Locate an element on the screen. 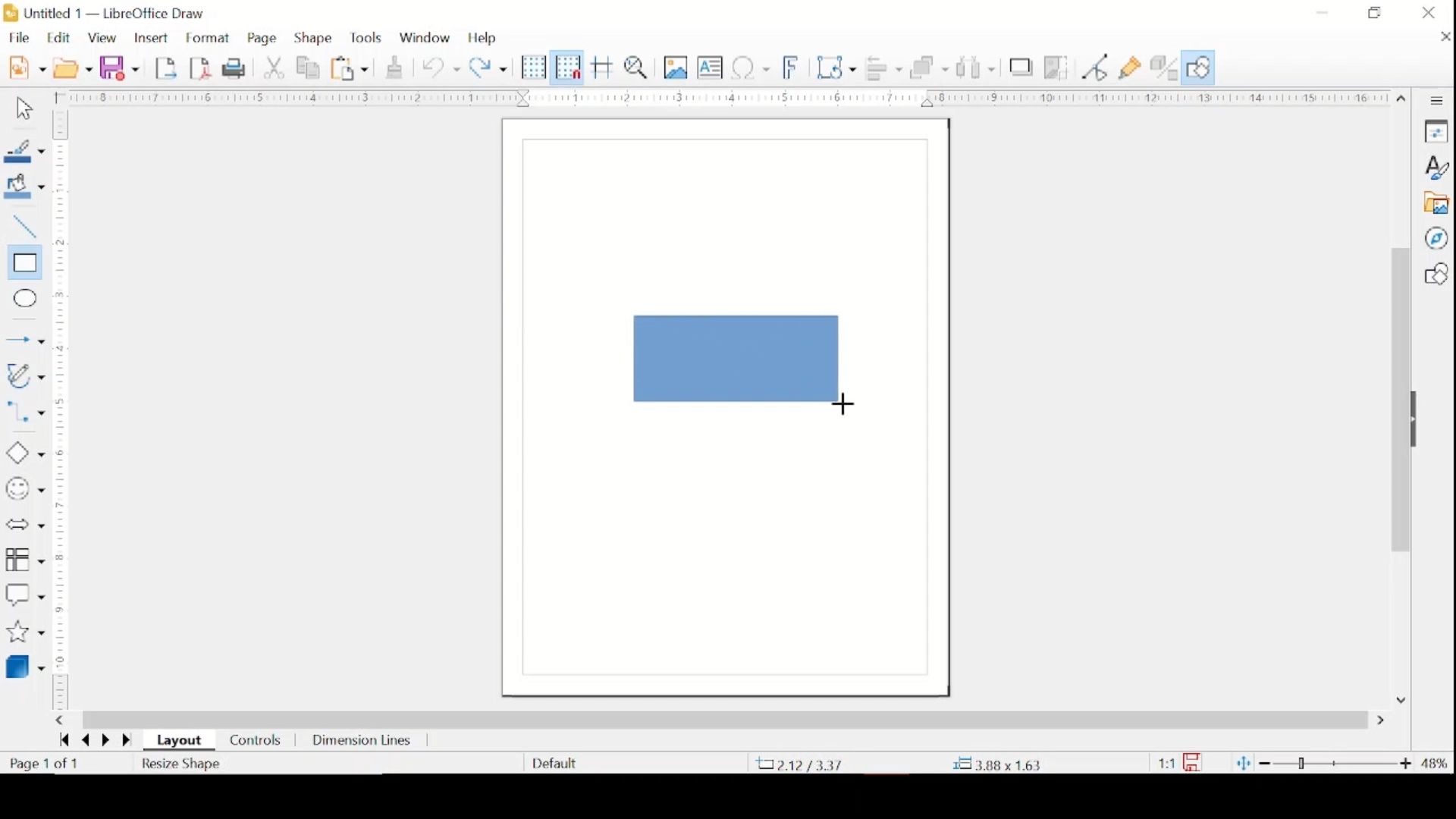  shapes is located at coordinates (1436, 274).